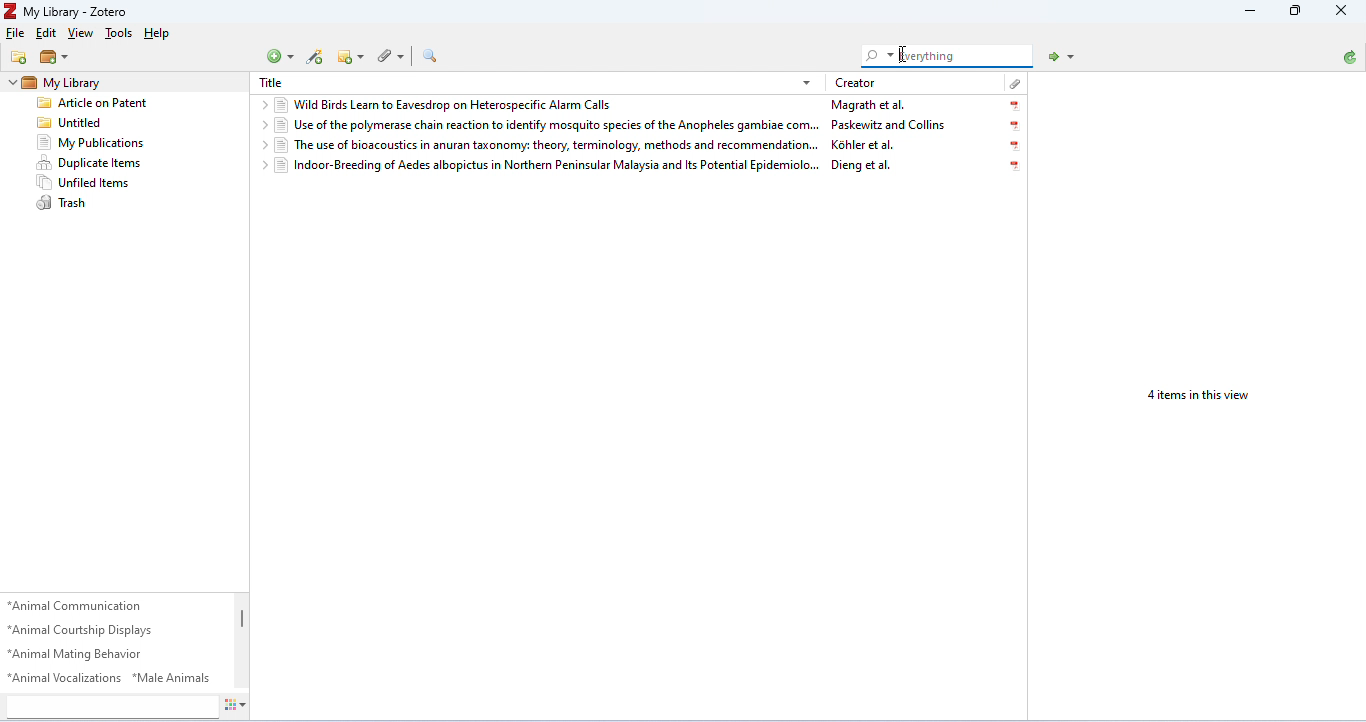 The width and height of the screenshot is (1366, 722). What do you see at coordinates (948, 56) in the screenshot?
I see `Search Everything` at bounding box center [948, 56].